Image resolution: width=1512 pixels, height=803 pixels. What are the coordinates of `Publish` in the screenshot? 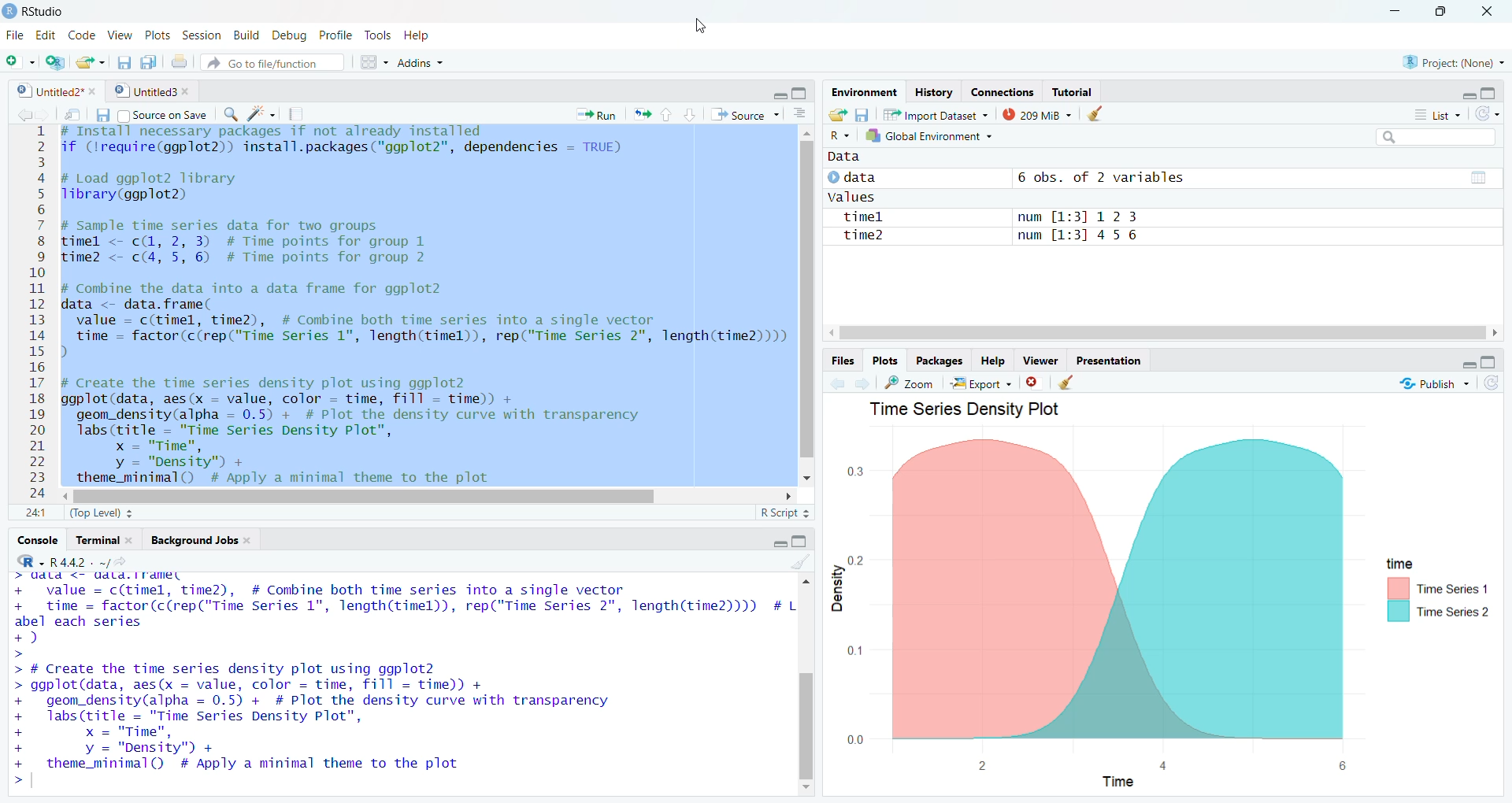 It's located at (1432, 383).